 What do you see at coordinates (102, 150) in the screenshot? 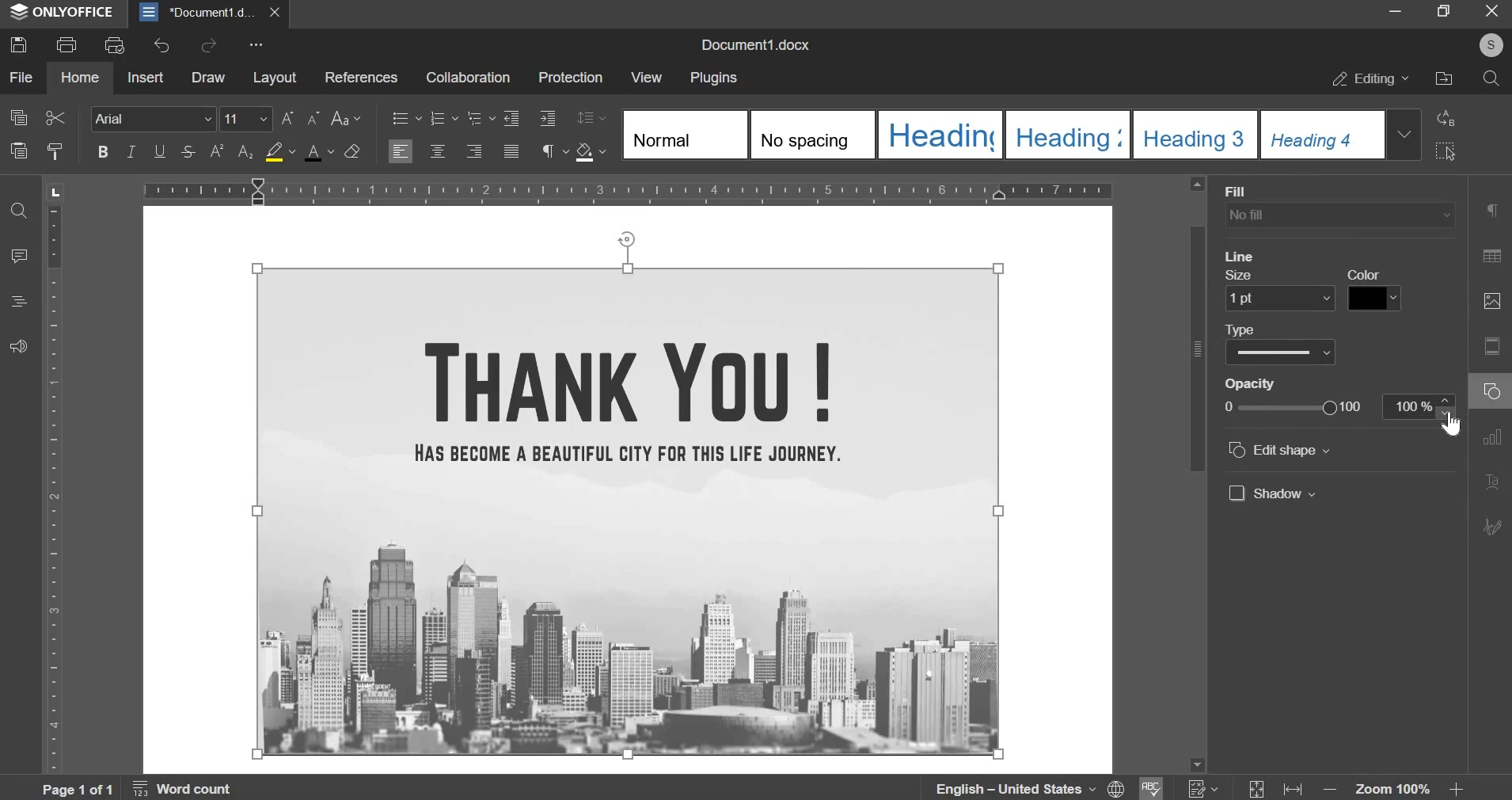
I see `bold` at bounding box center [102, 150].